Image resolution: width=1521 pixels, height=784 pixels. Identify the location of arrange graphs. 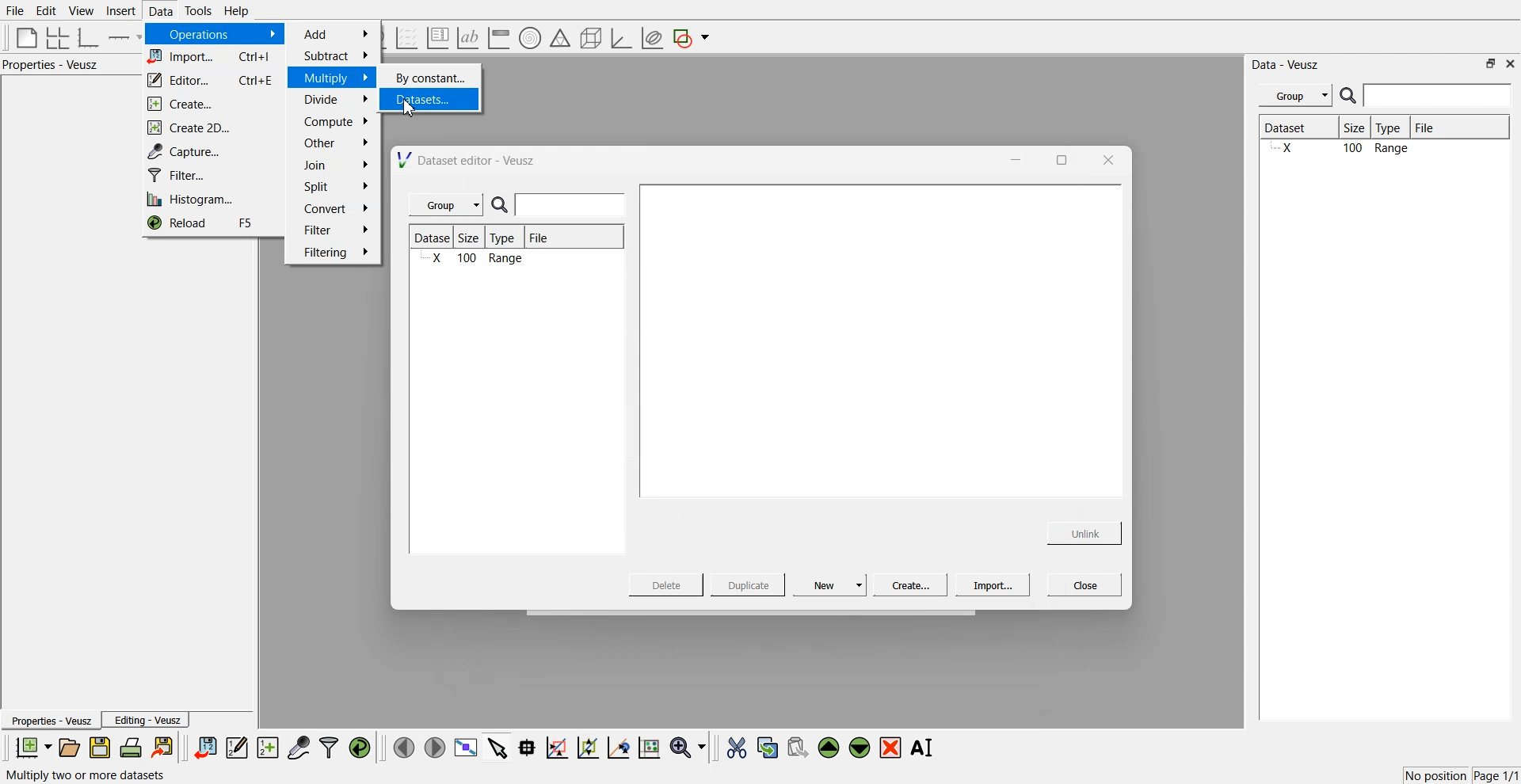
(55, 37).